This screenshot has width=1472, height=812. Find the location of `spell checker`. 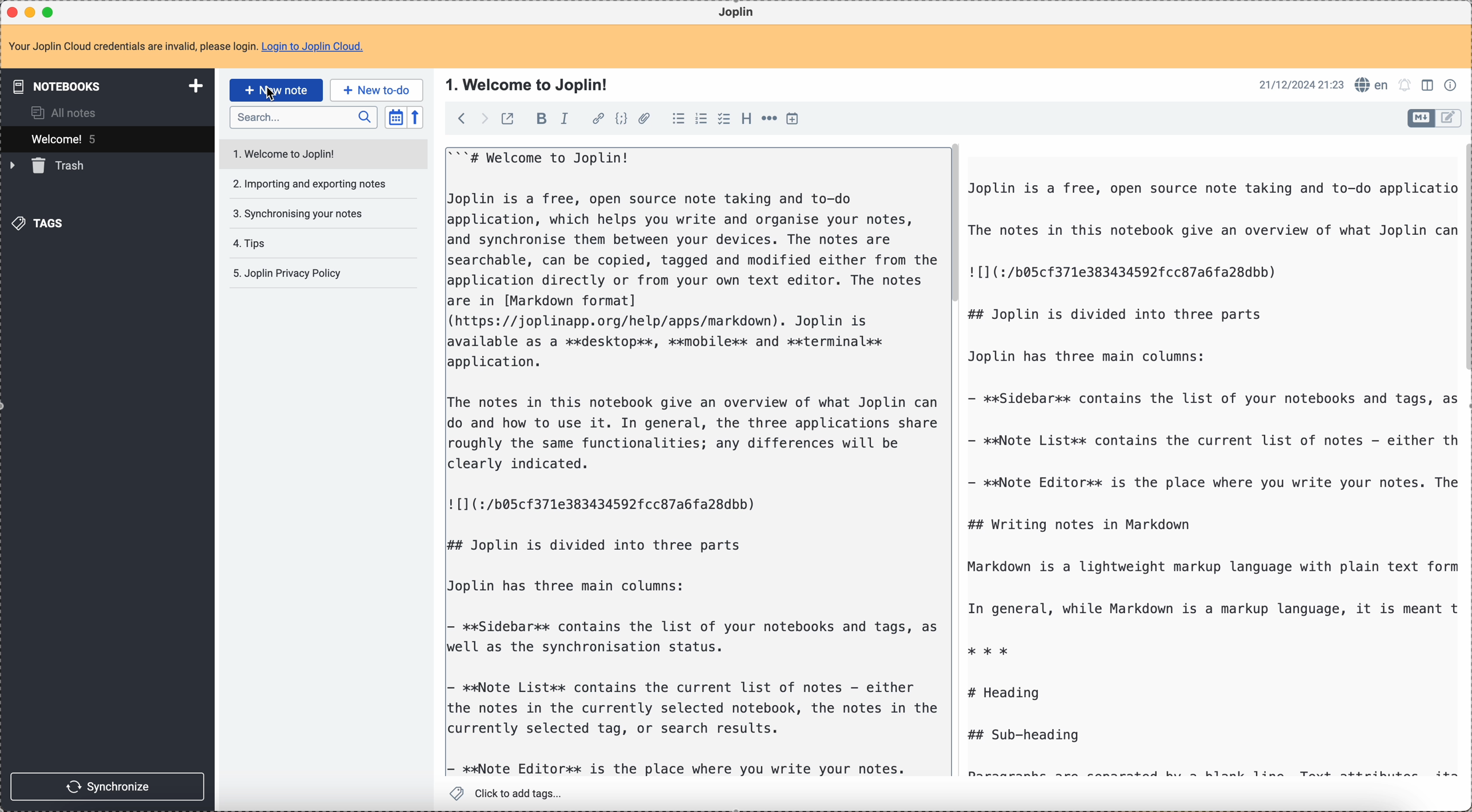

spell checker is located at coordinates (1372, 85).